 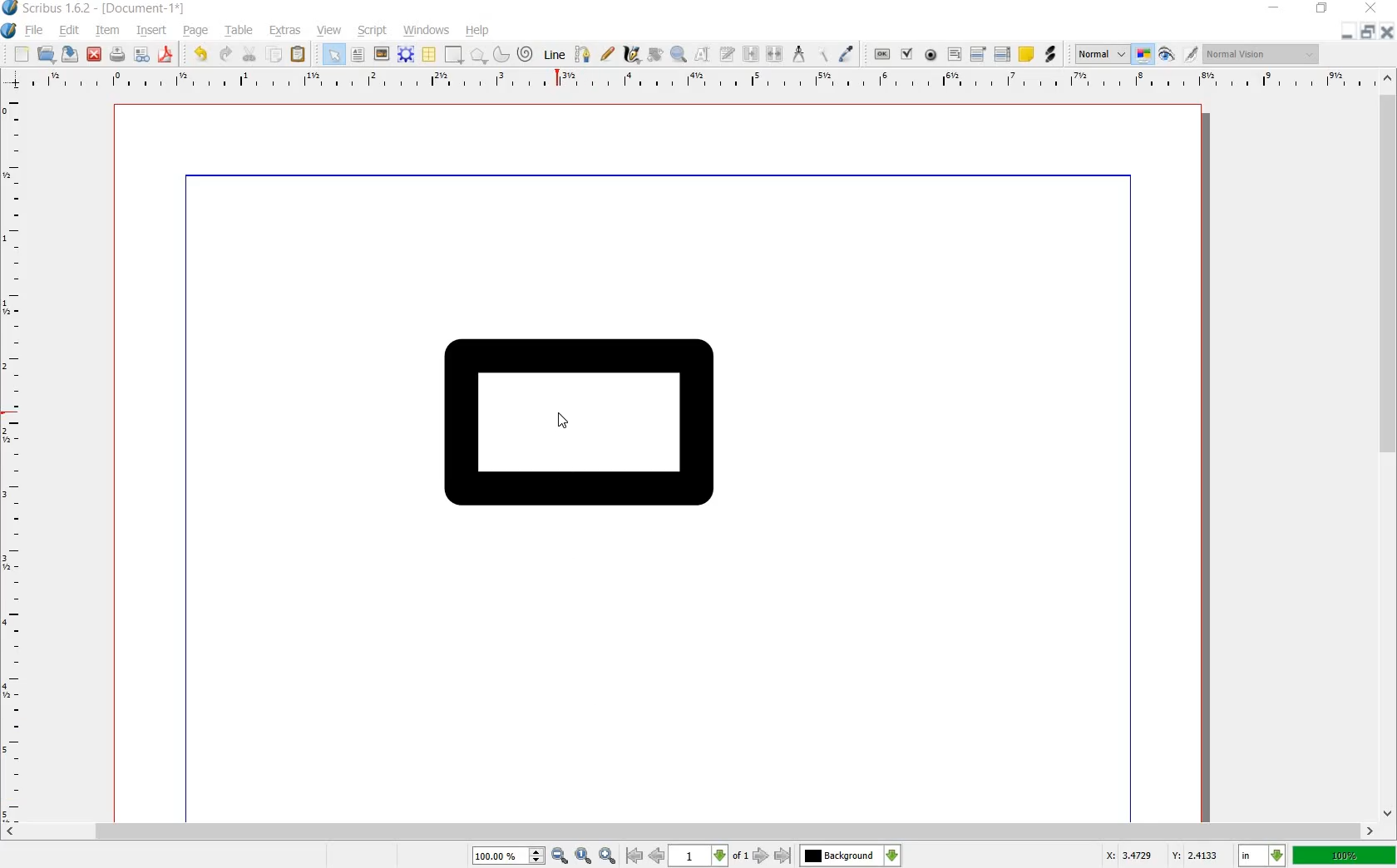 I want to click on calligraphic line, so click(x=631, y=55).